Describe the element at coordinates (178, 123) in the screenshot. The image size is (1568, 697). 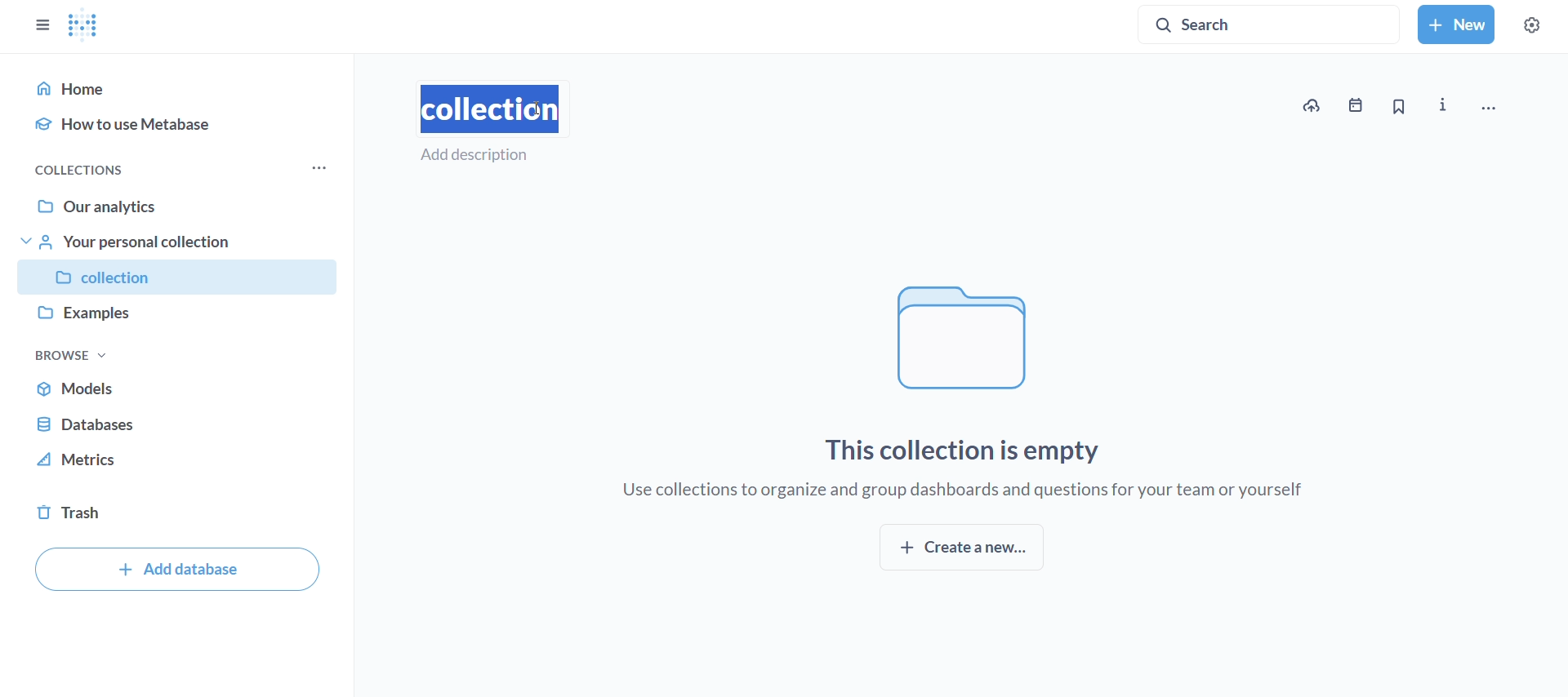
I see `how to use metabase` at that location.